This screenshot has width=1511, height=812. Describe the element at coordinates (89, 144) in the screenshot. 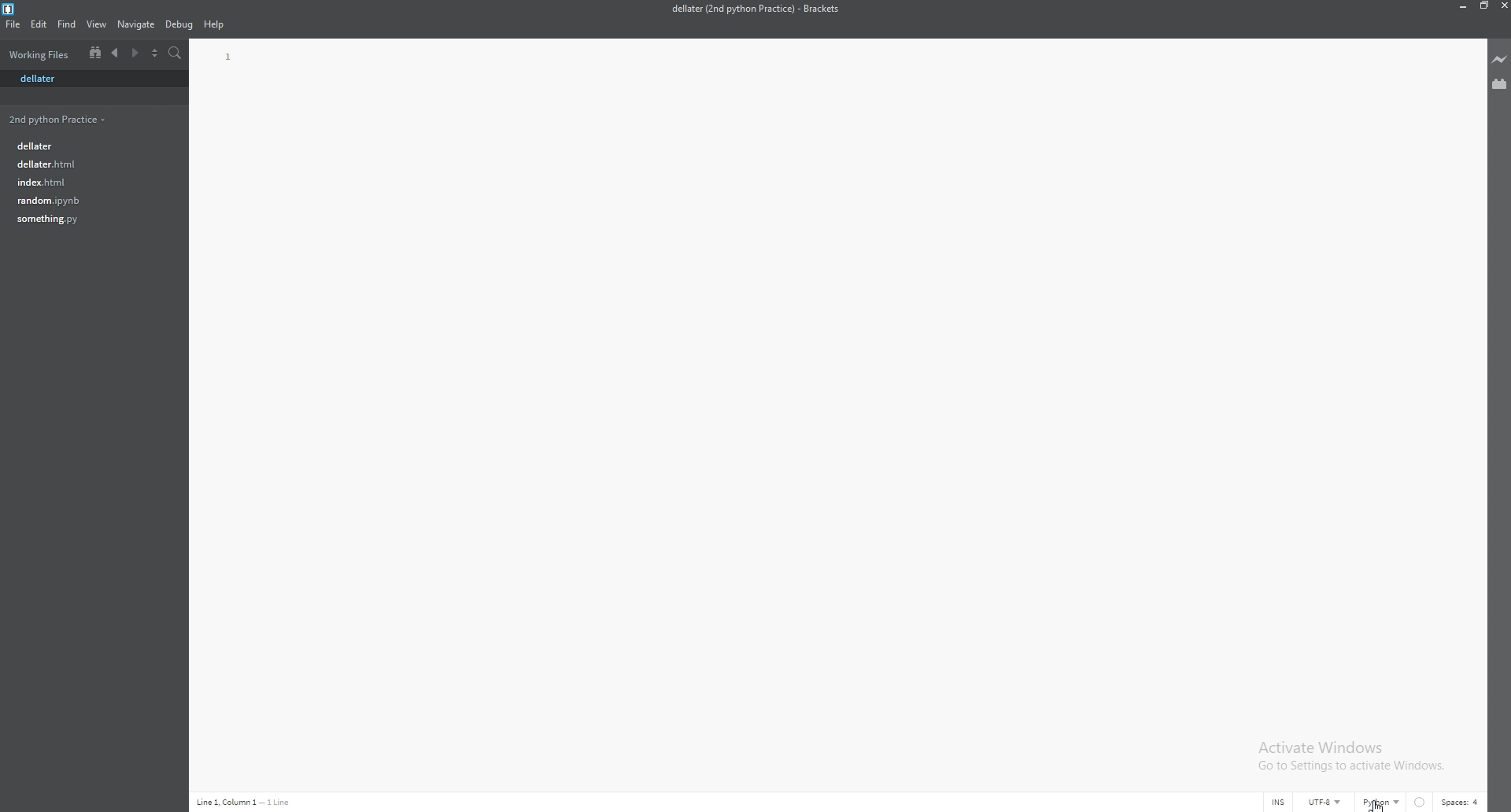

I see `file` at that location.